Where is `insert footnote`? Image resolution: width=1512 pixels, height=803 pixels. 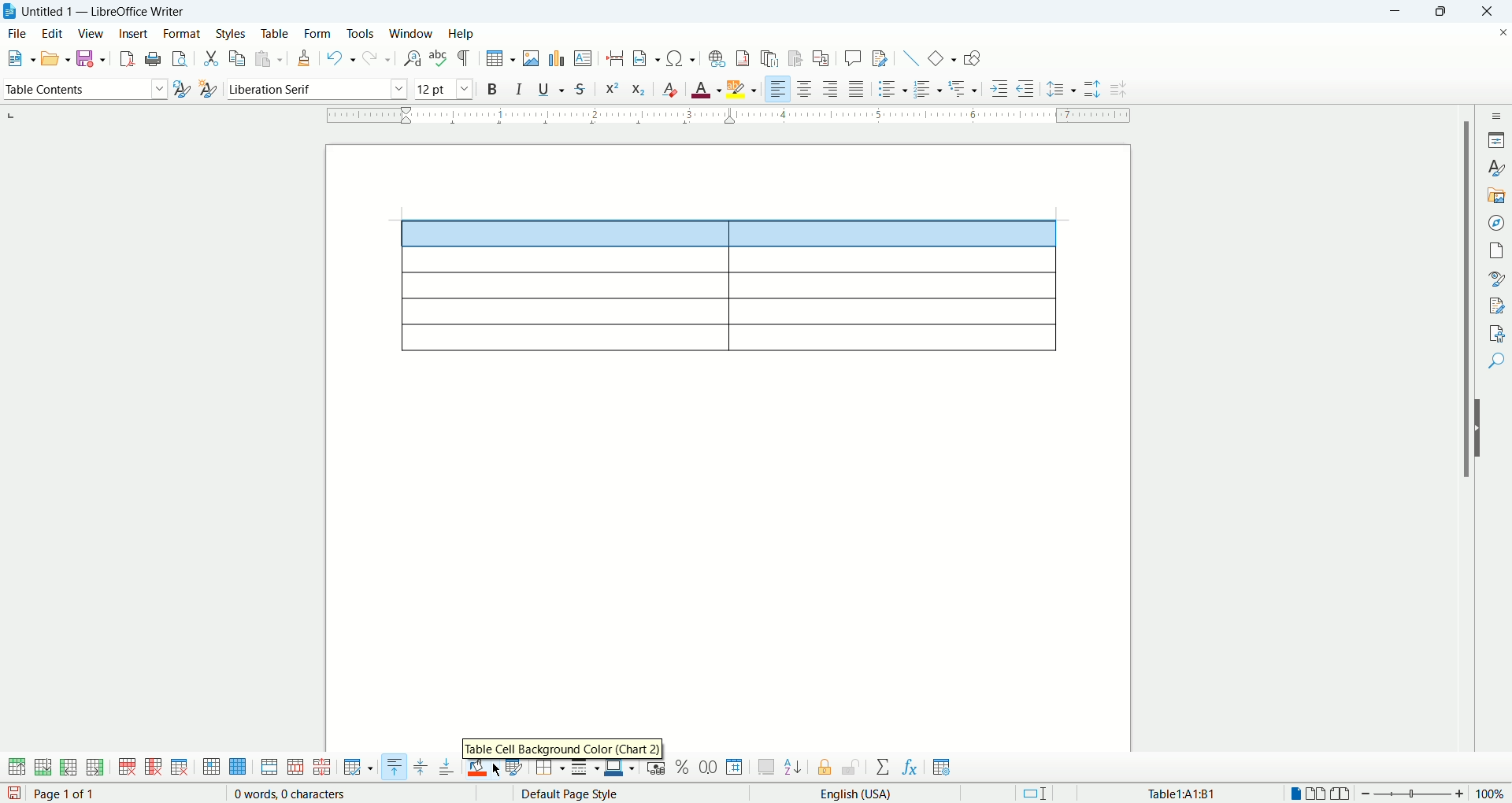 insert footnote is located at coordinates (746, 57).